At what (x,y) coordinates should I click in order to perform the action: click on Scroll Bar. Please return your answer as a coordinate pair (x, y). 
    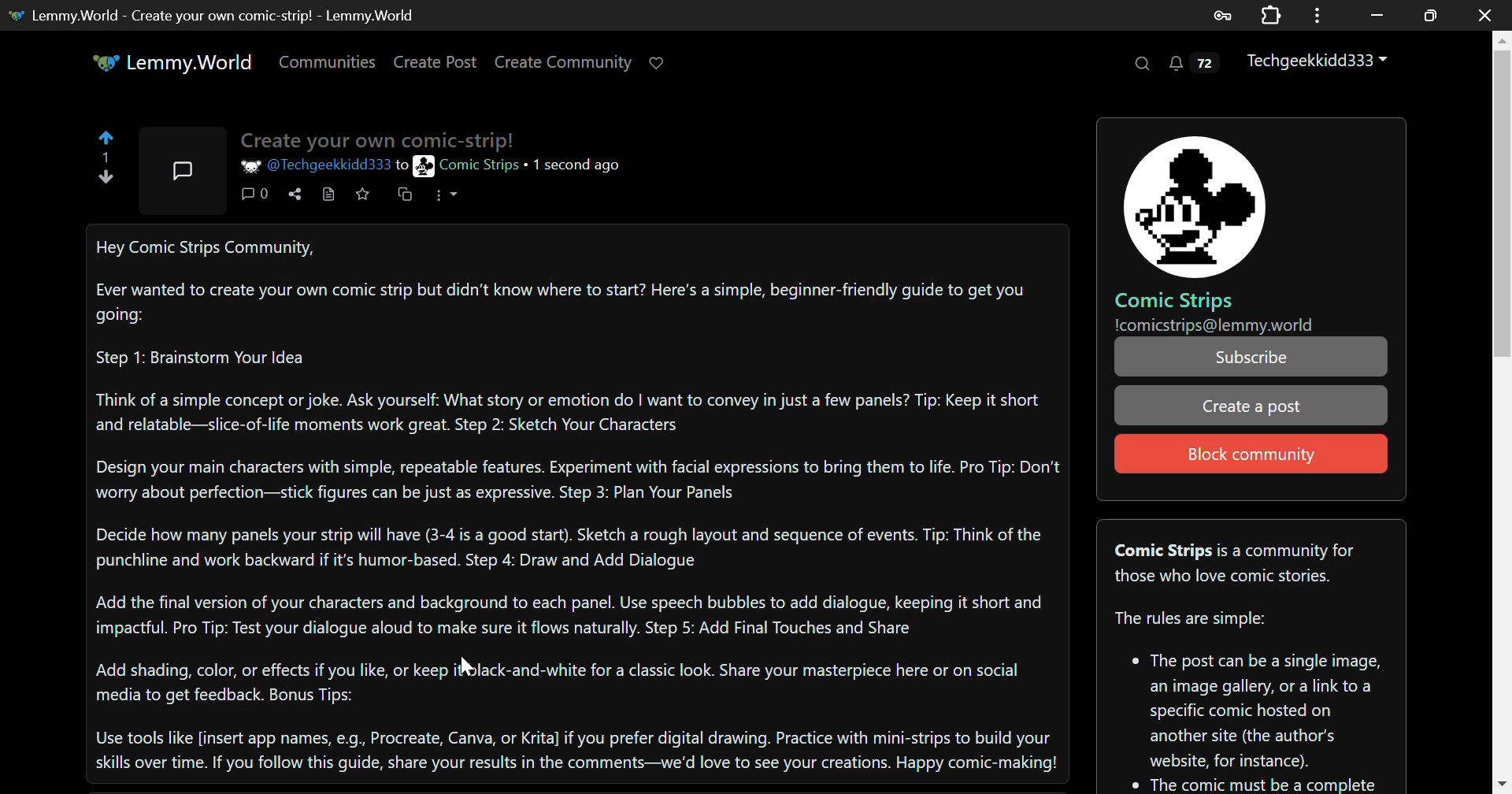
    Looking at the image, I should click on (1503, 409).